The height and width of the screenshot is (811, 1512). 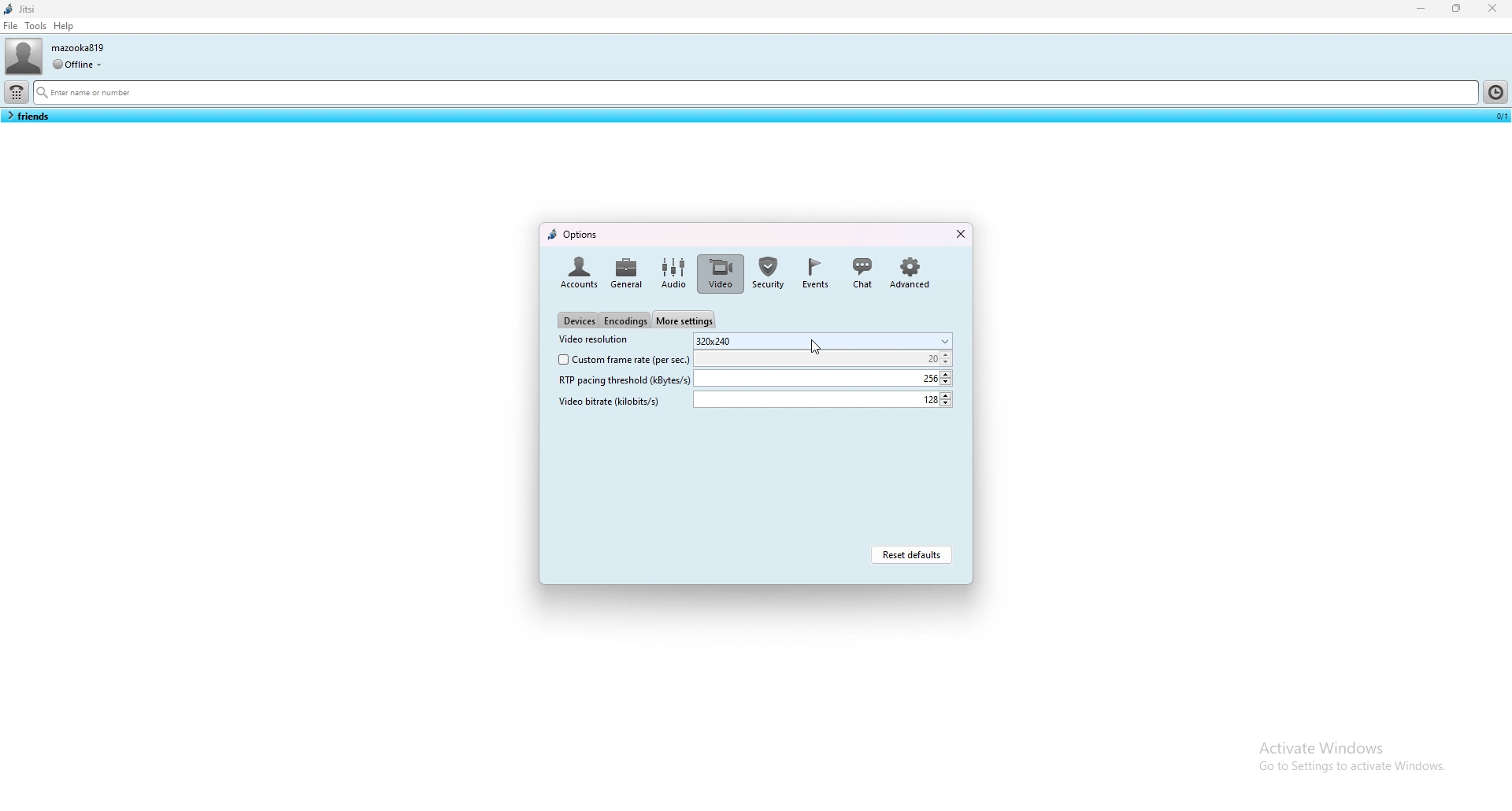 I want to click on Options, so click(x=576, y=233).